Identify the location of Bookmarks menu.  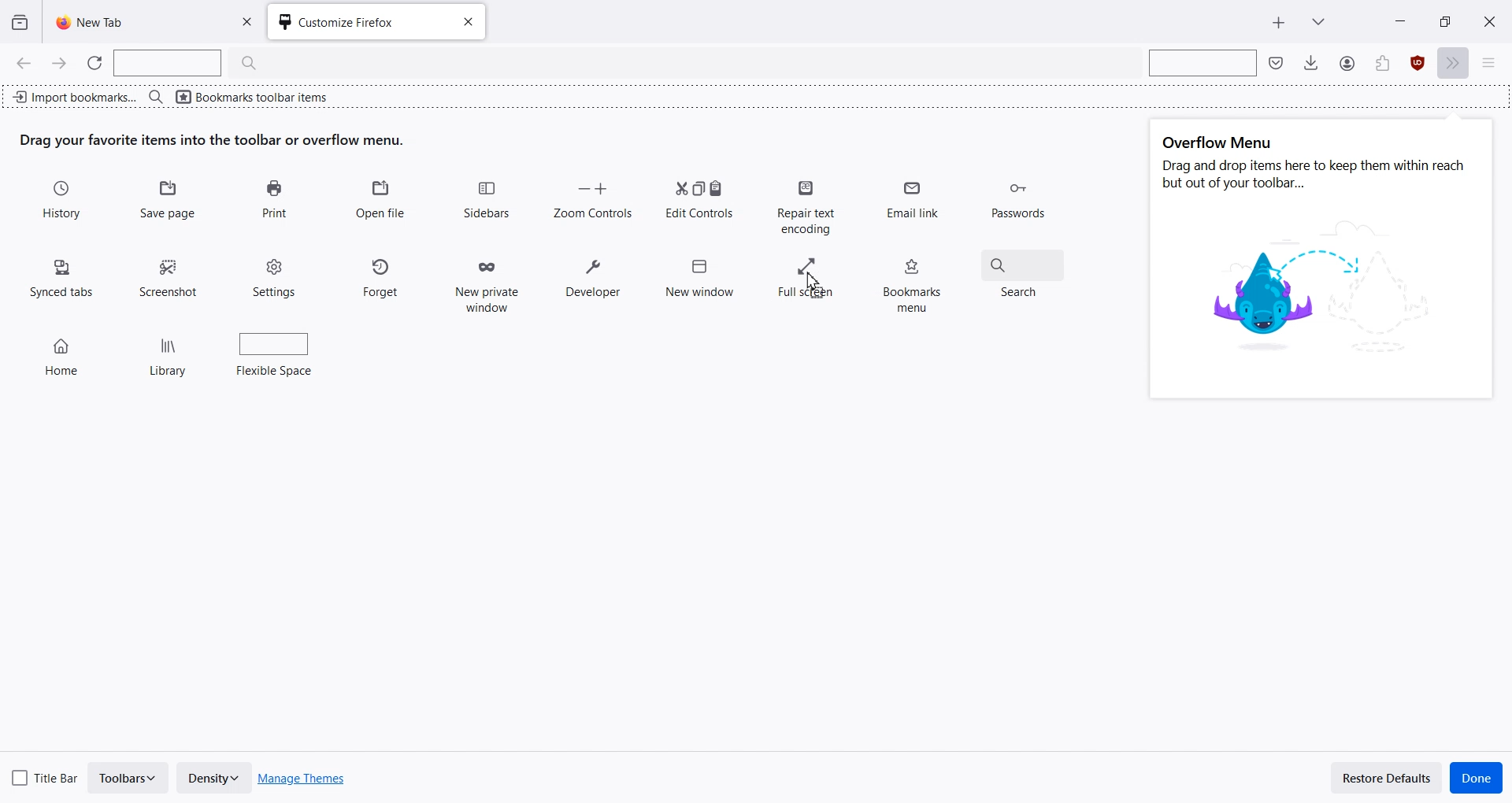
(913, 279).